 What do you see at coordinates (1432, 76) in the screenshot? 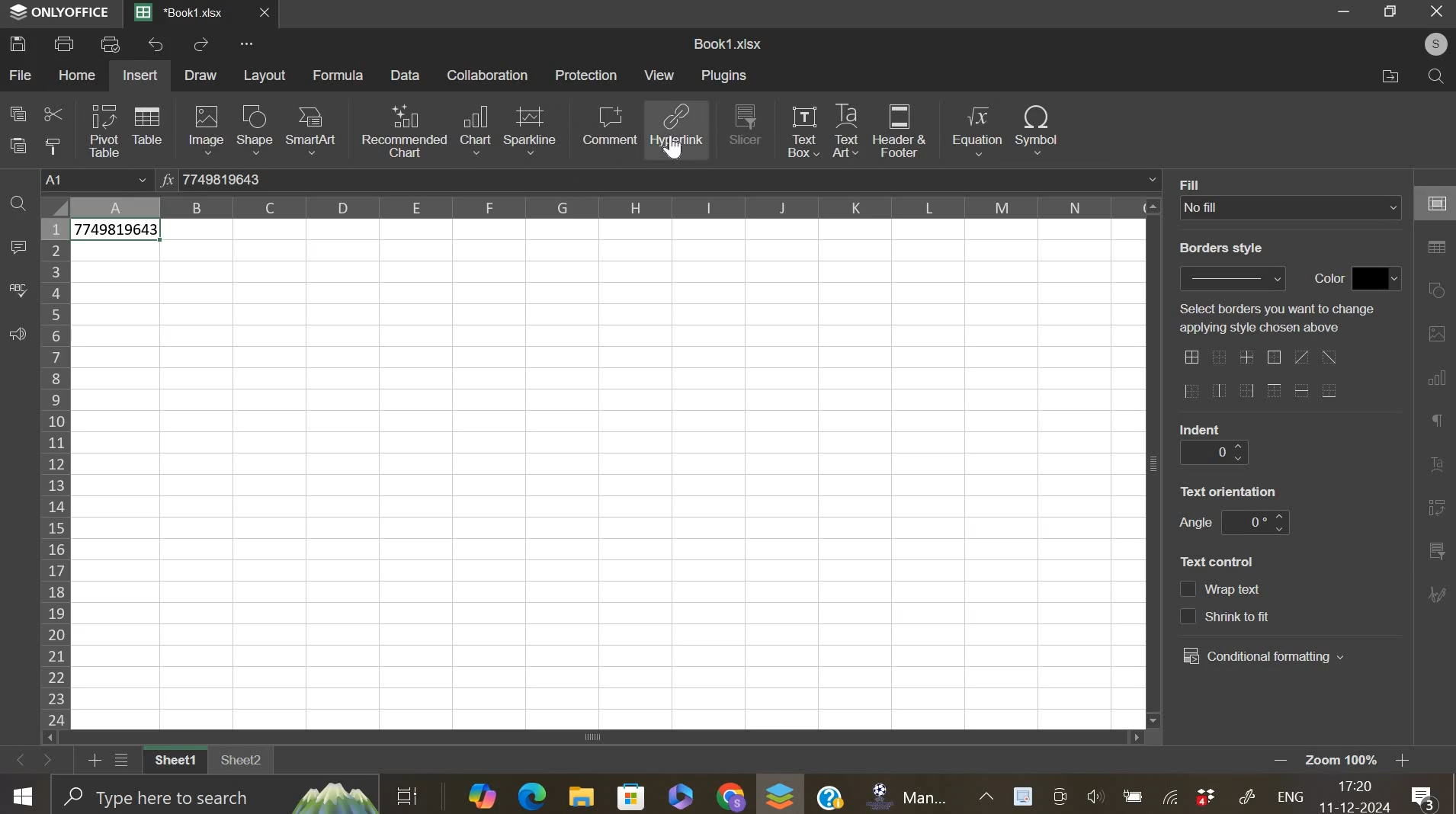
I see `find` at bounding box center [1432, 76].